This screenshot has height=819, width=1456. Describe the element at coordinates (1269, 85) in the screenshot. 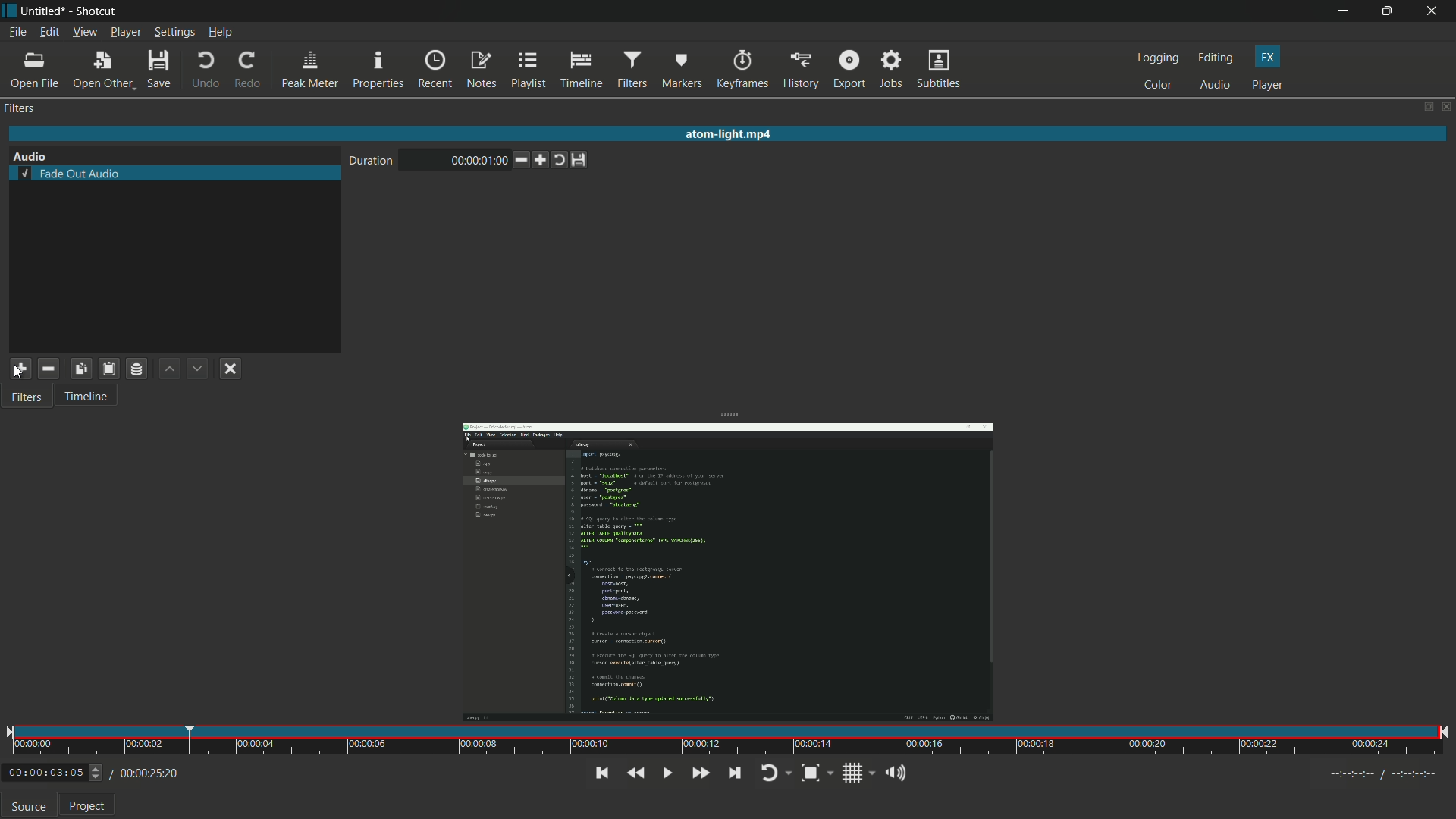

I see `player` at that location.